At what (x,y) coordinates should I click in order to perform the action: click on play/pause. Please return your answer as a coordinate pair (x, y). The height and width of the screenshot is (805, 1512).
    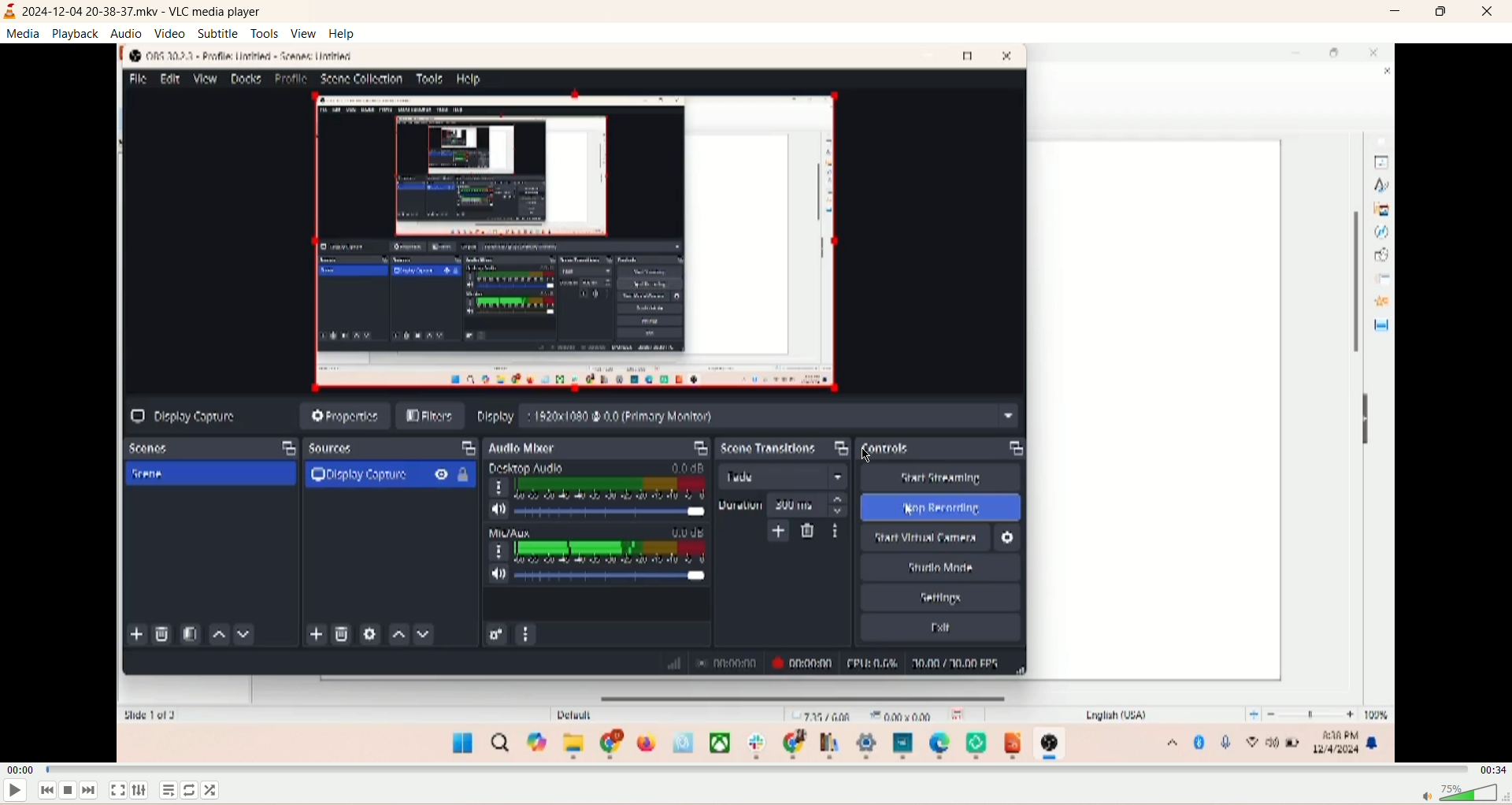
    Looking at the image, I should click on (13, 792).